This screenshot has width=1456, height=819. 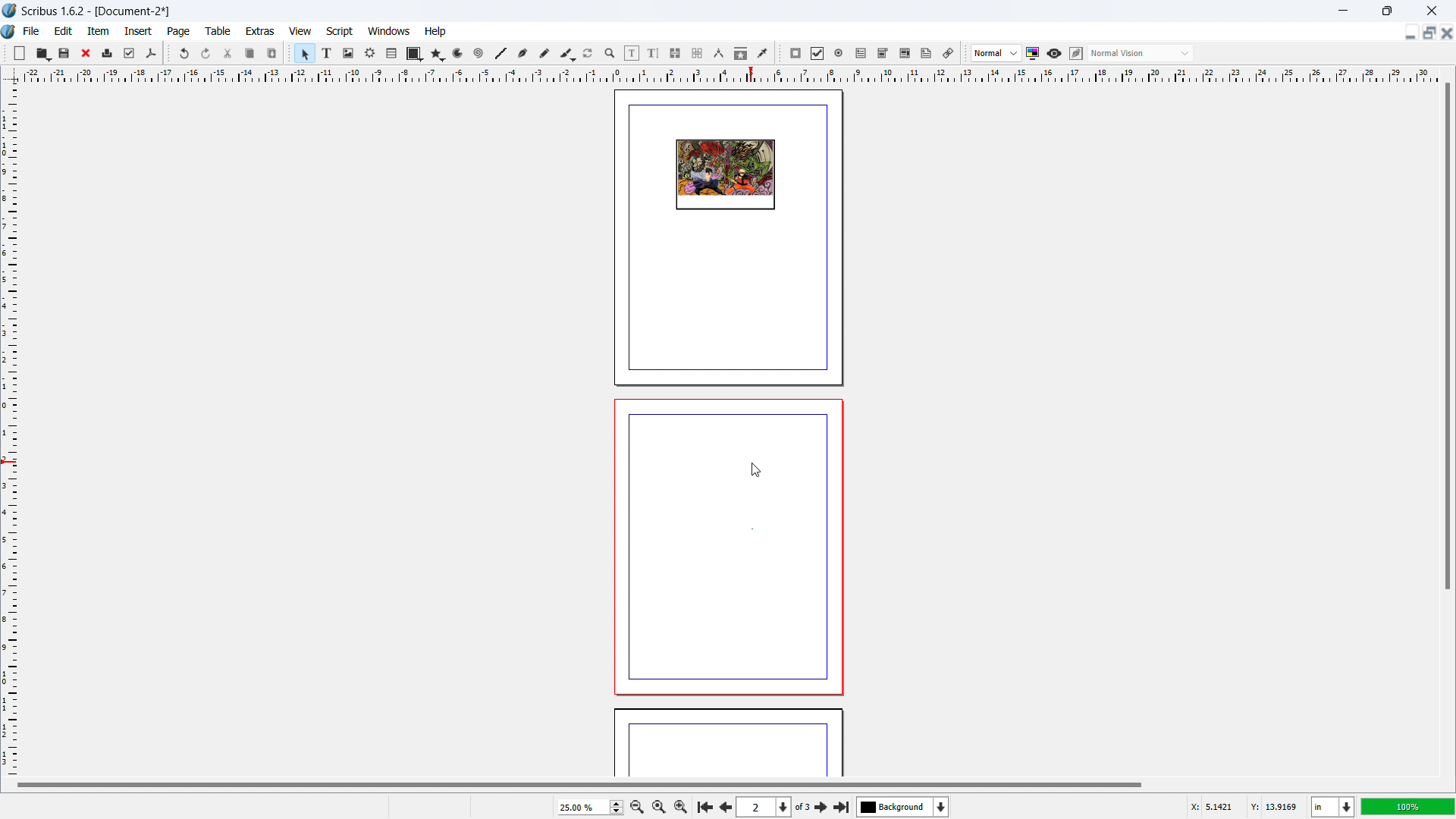 I want to click on pdf text field, so click(x=861, y=54).